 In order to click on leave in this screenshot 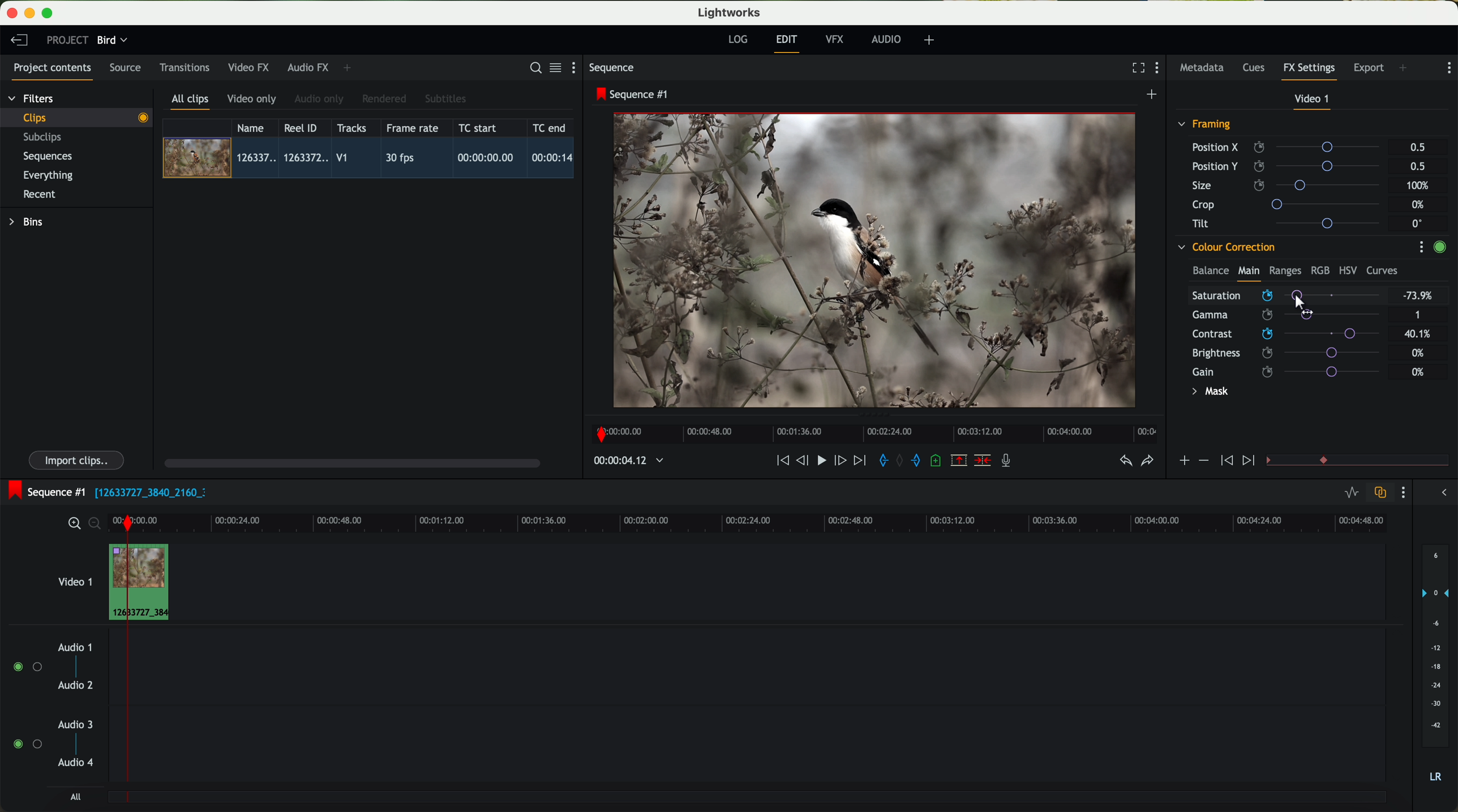, I will do `click(19, 41)`.